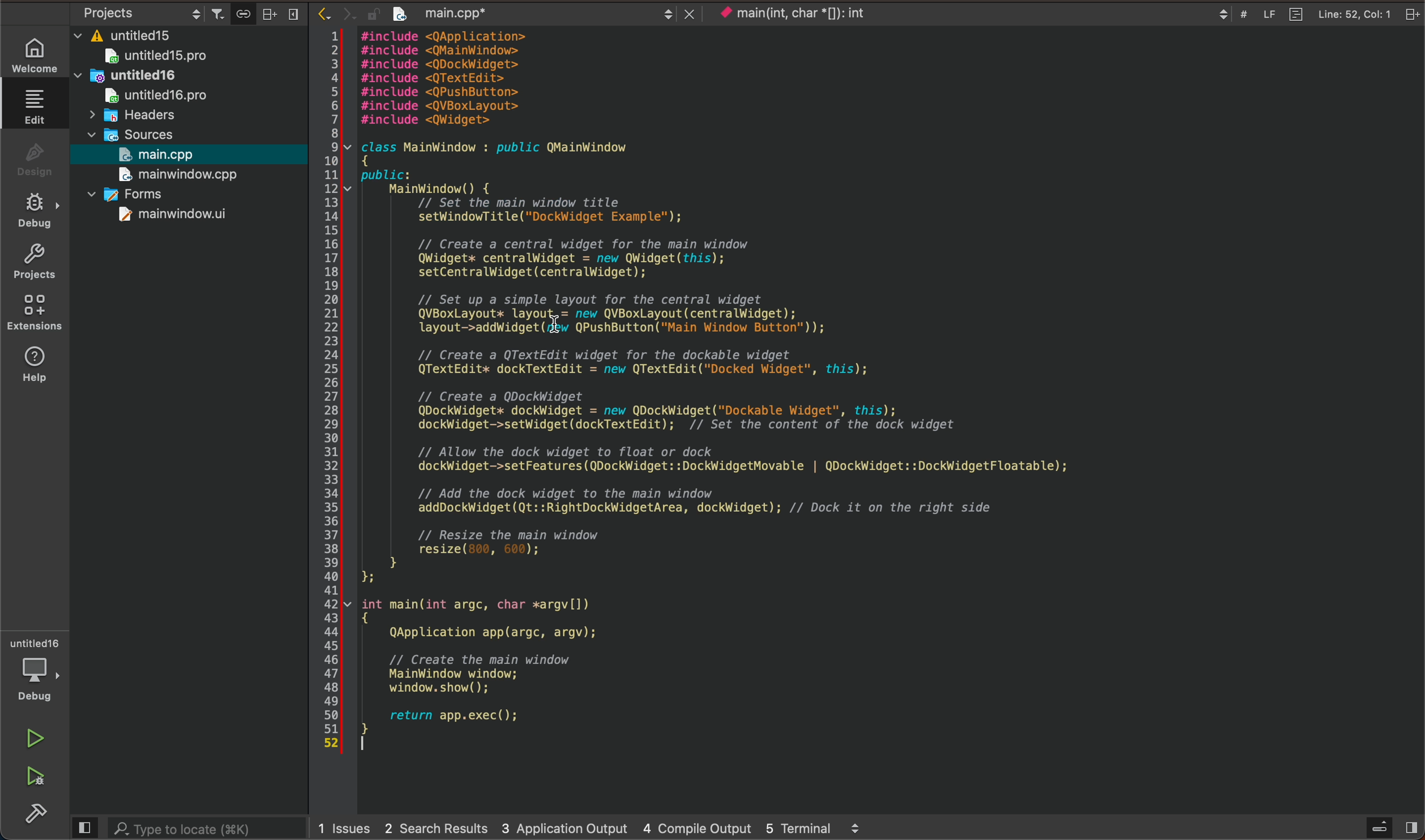  Describe the element at coordinates (140, 114) in the screenshot. I see `headers` at that location.